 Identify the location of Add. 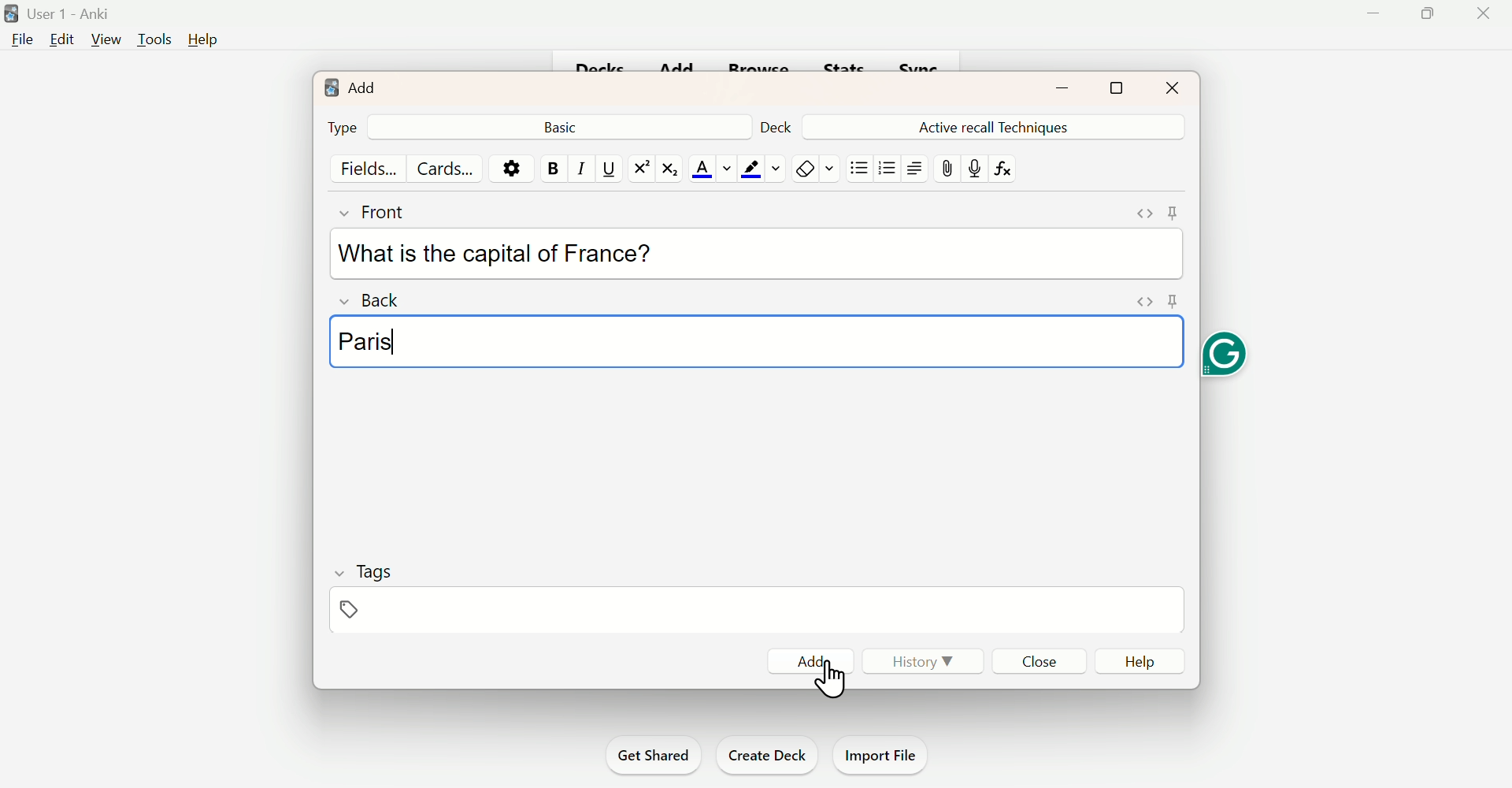
(362, 87).